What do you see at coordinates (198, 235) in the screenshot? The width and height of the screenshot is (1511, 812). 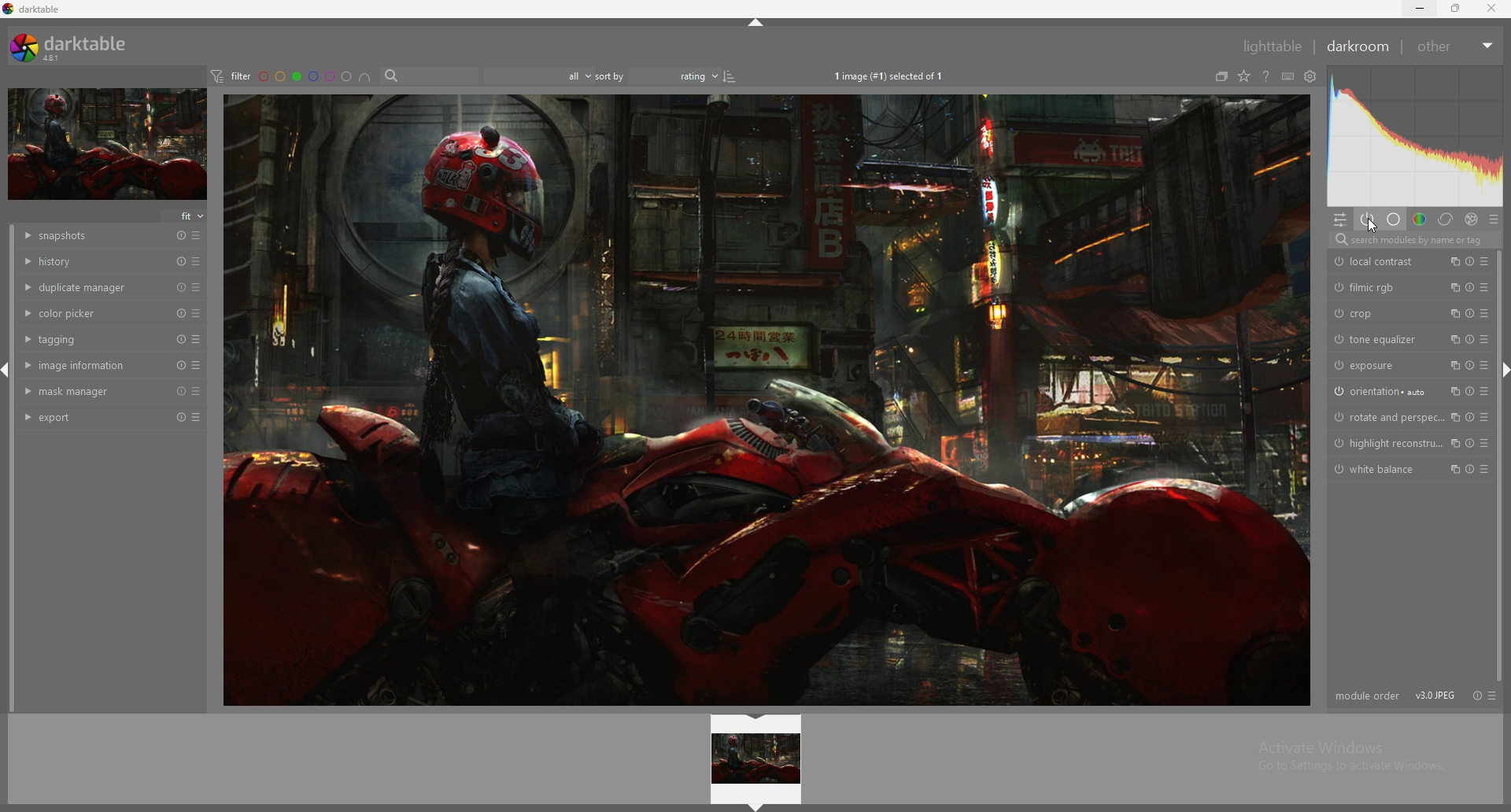 I see `presets` at bounding box center [198, 235].